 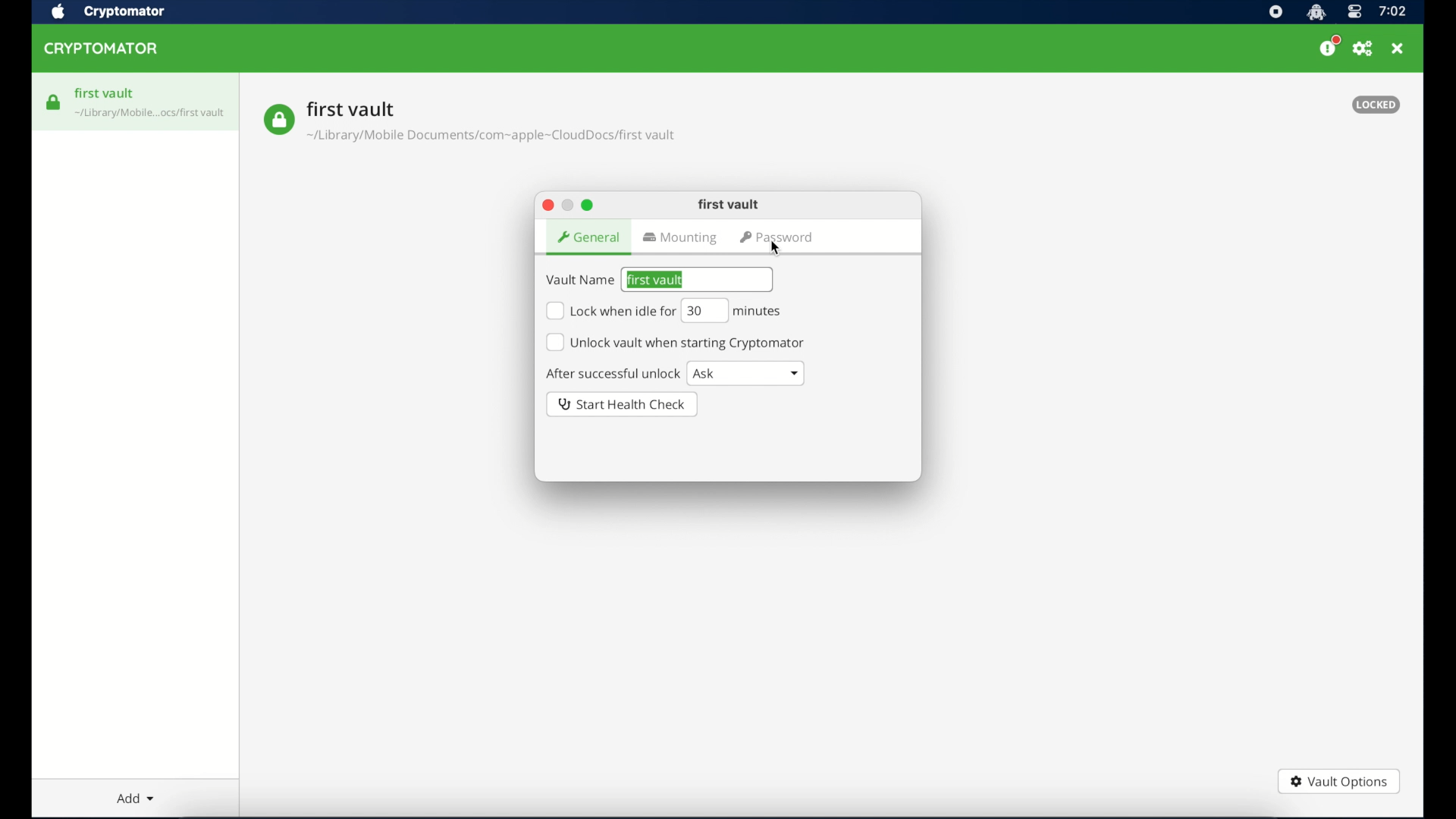 I want to click on vault icon, so click(x=54, y=102).